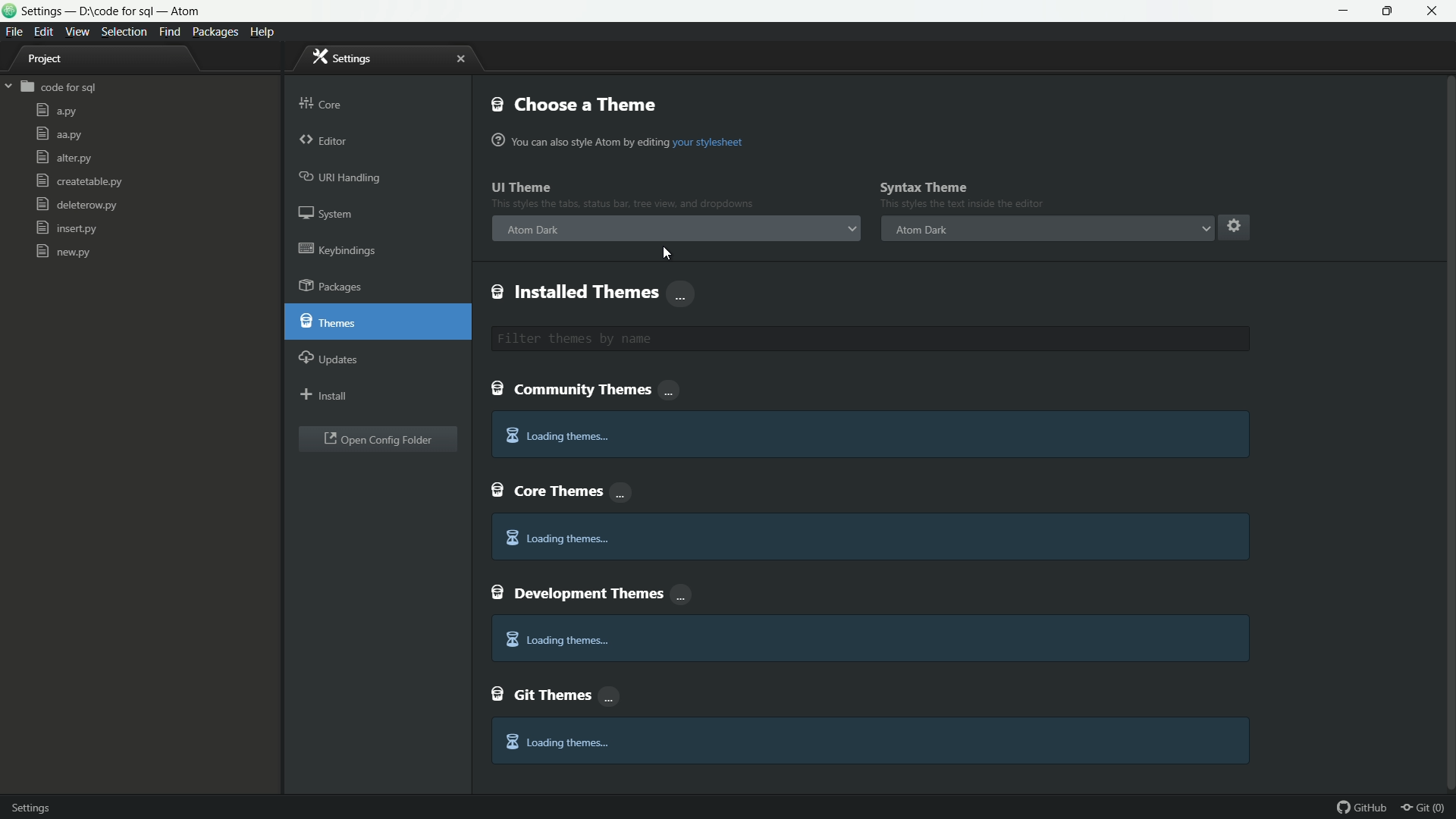 The image size is (1456, 819). I want to click on project, so click(45, 61).